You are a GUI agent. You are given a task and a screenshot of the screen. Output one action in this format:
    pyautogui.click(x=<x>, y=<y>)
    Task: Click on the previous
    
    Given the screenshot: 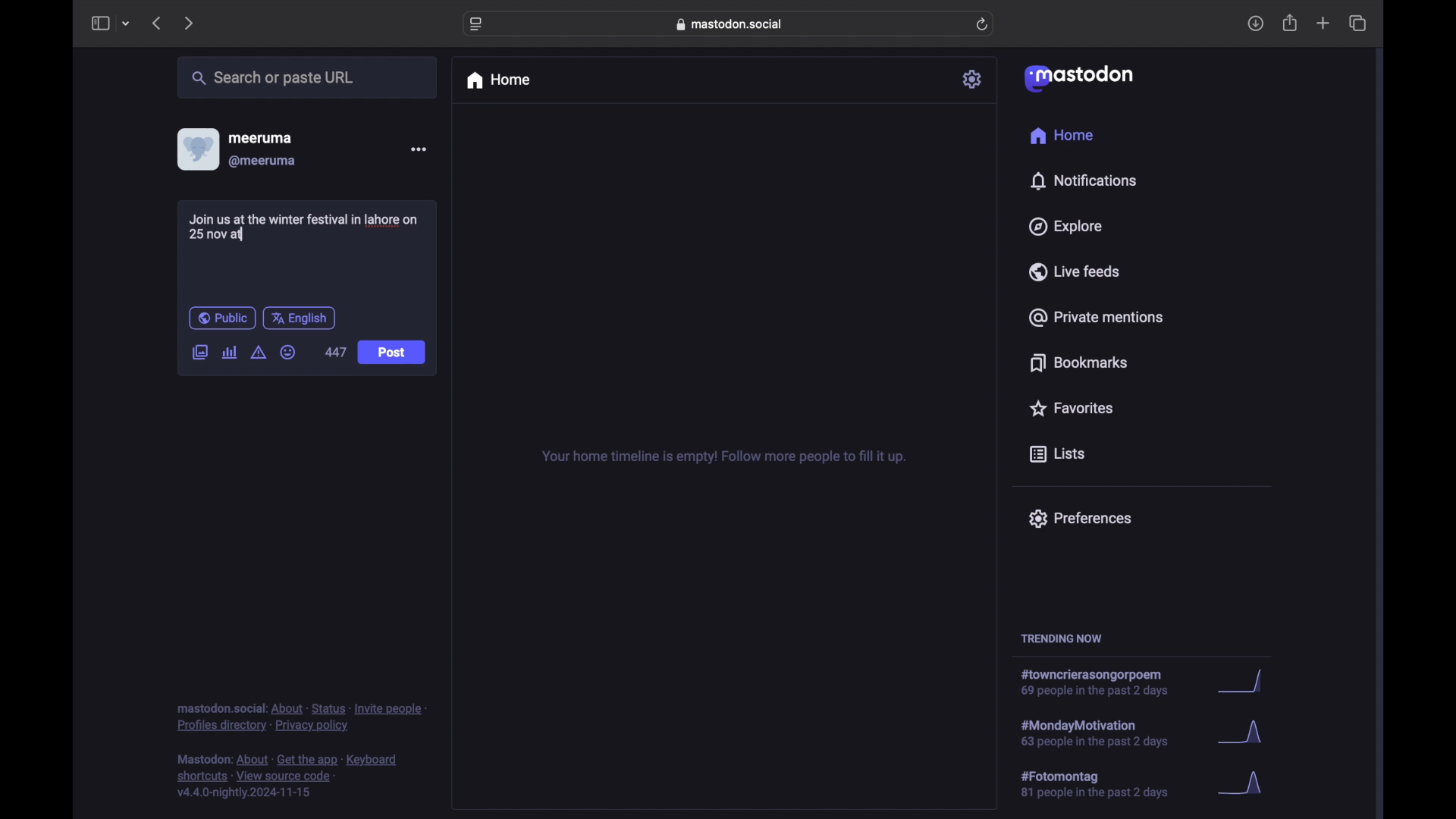 What is the action you would take?
    pyautogui.click(x=156, y=23)
    